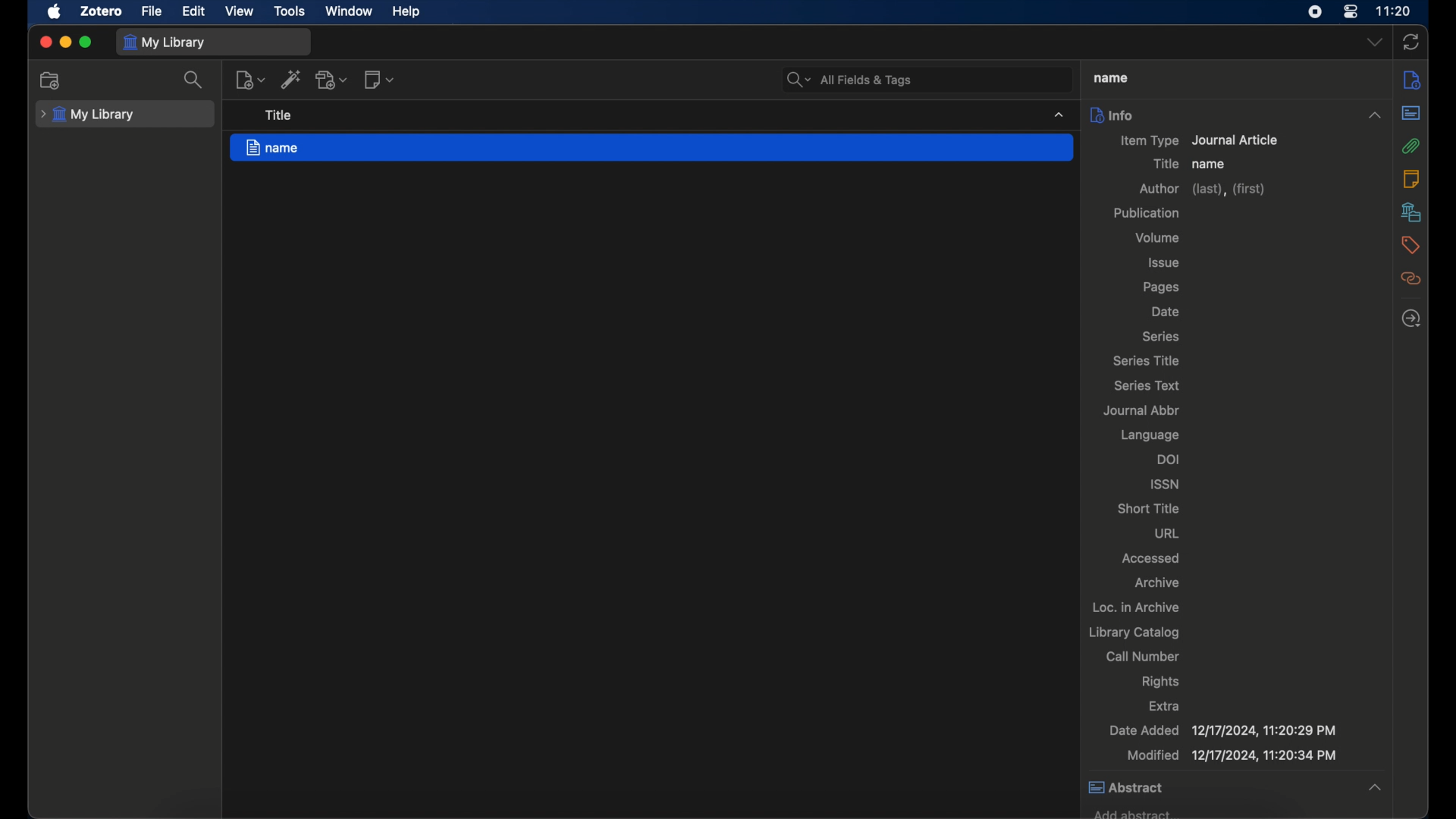 The width and height of the screenshot is (1456, 819). Describe the element at coordinates (1109, 77) in the screenshot. I see `title` at that location.